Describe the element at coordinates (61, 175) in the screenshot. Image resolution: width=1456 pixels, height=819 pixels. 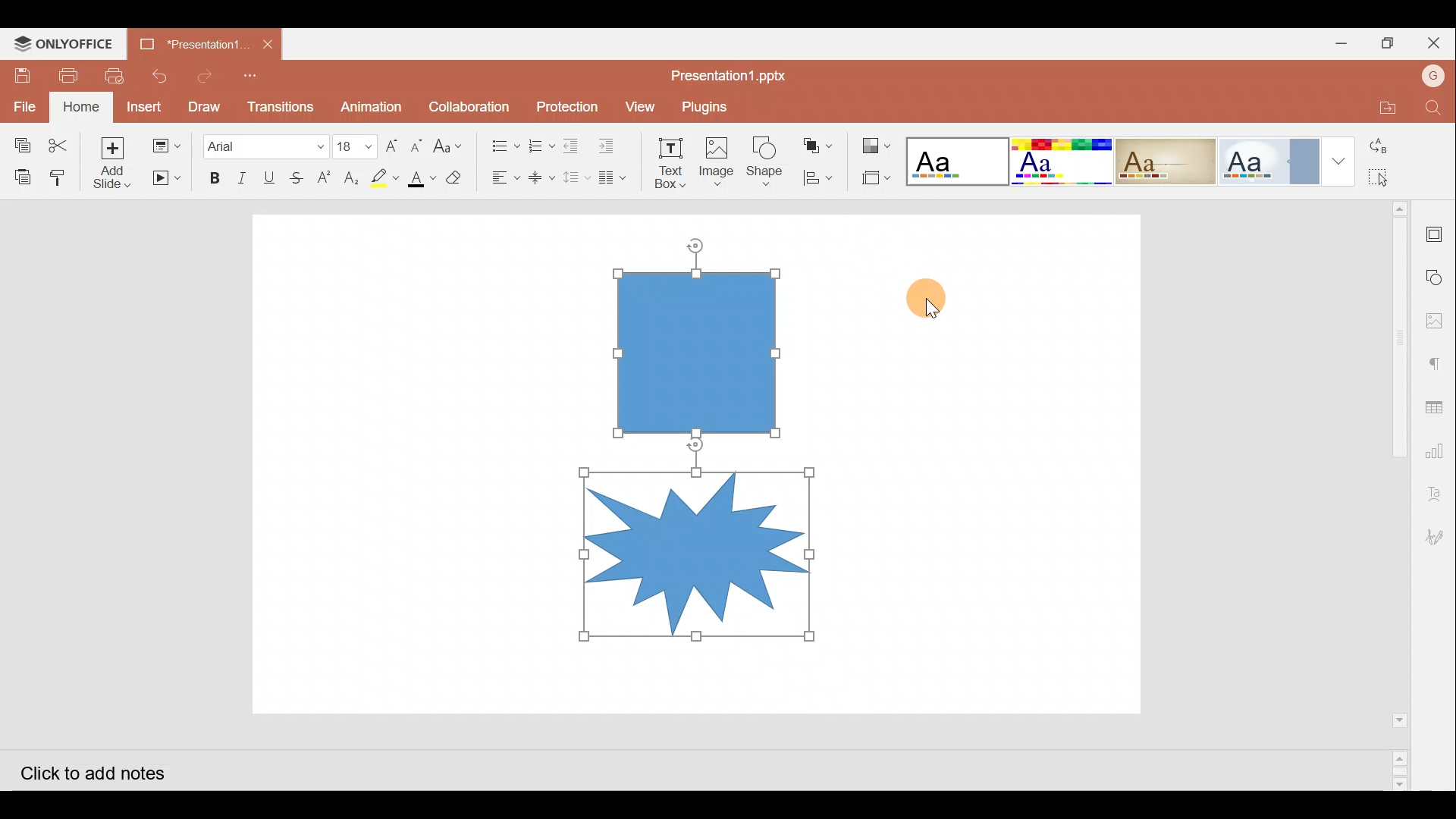
I see `Copy style` at that location.